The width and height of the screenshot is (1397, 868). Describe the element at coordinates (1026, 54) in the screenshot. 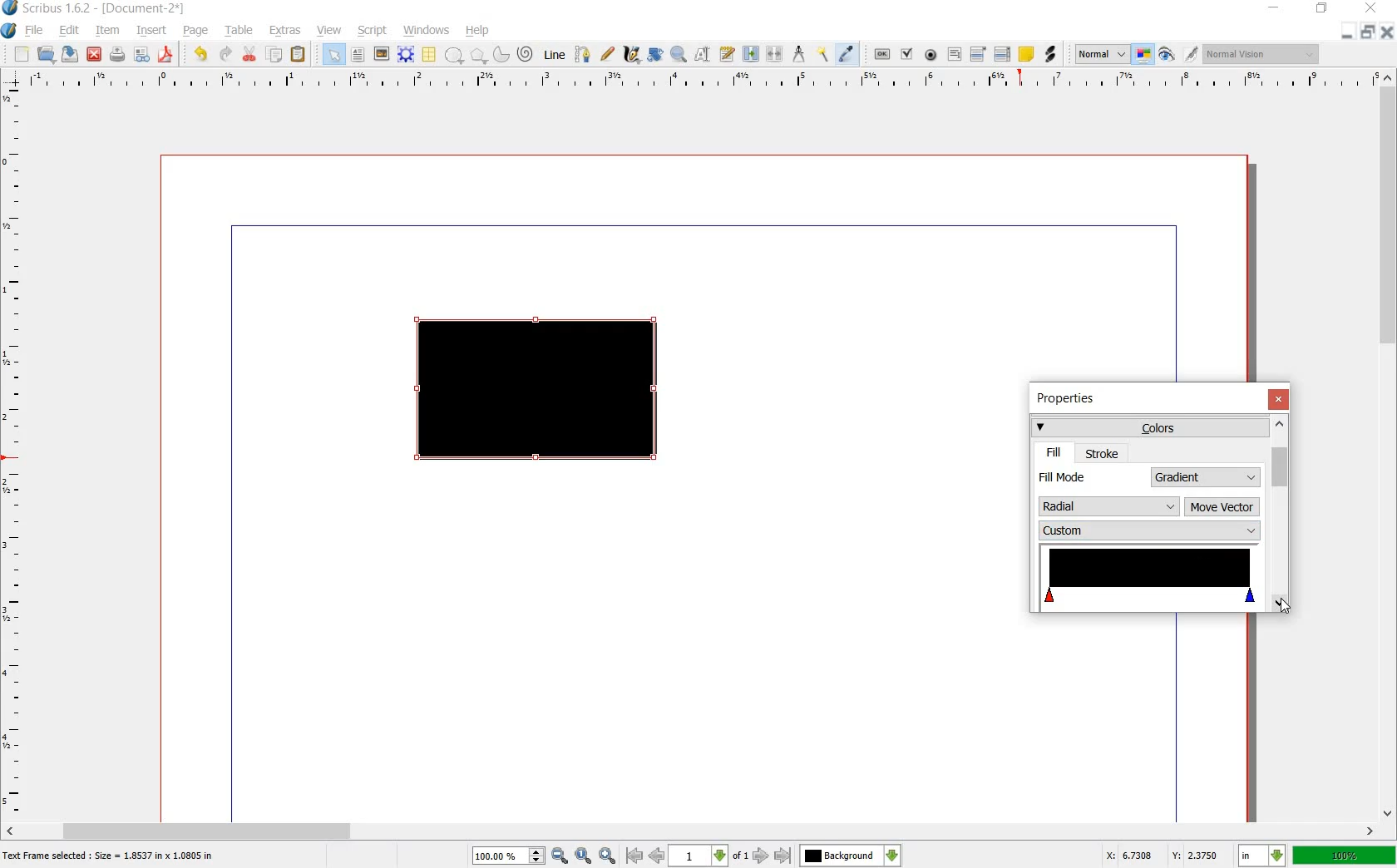

I see `text annotation` at that location.